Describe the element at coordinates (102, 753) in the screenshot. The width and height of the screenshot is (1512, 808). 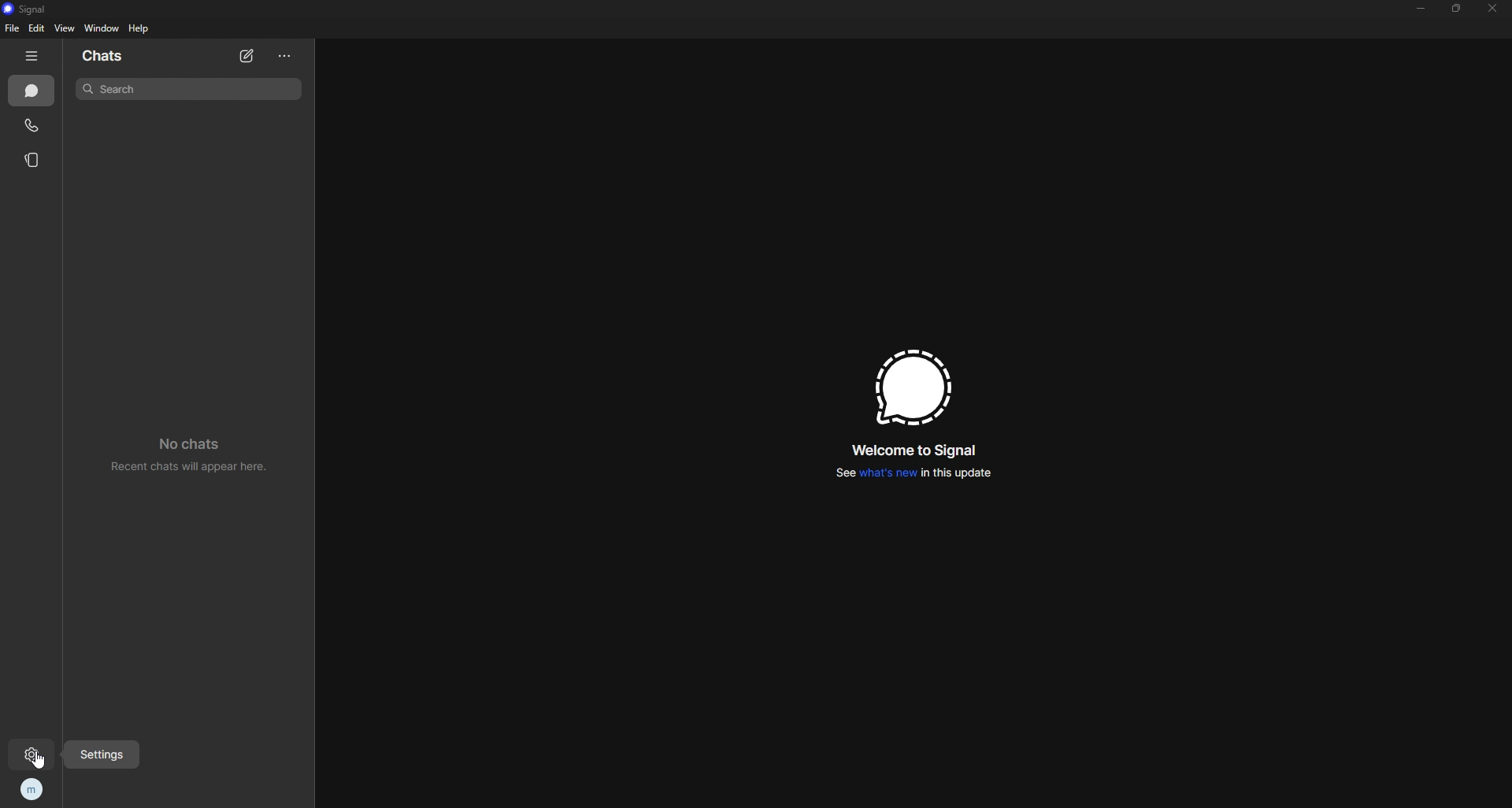
I see `settings` at that location.